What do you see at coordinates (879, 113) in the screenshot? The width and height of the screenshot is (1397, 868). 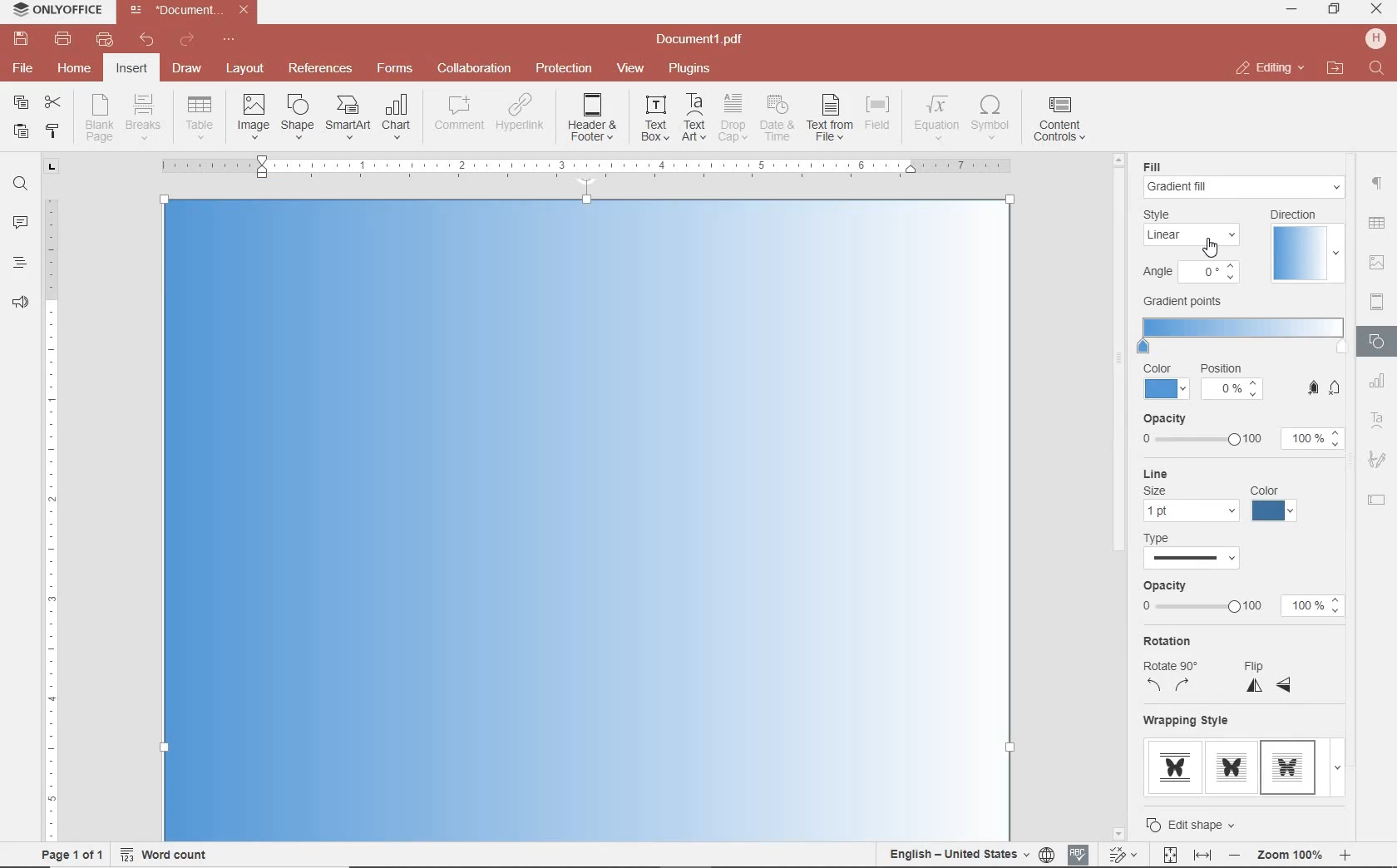 I see `INSERT FIELD` at bounding box center [879, 113].